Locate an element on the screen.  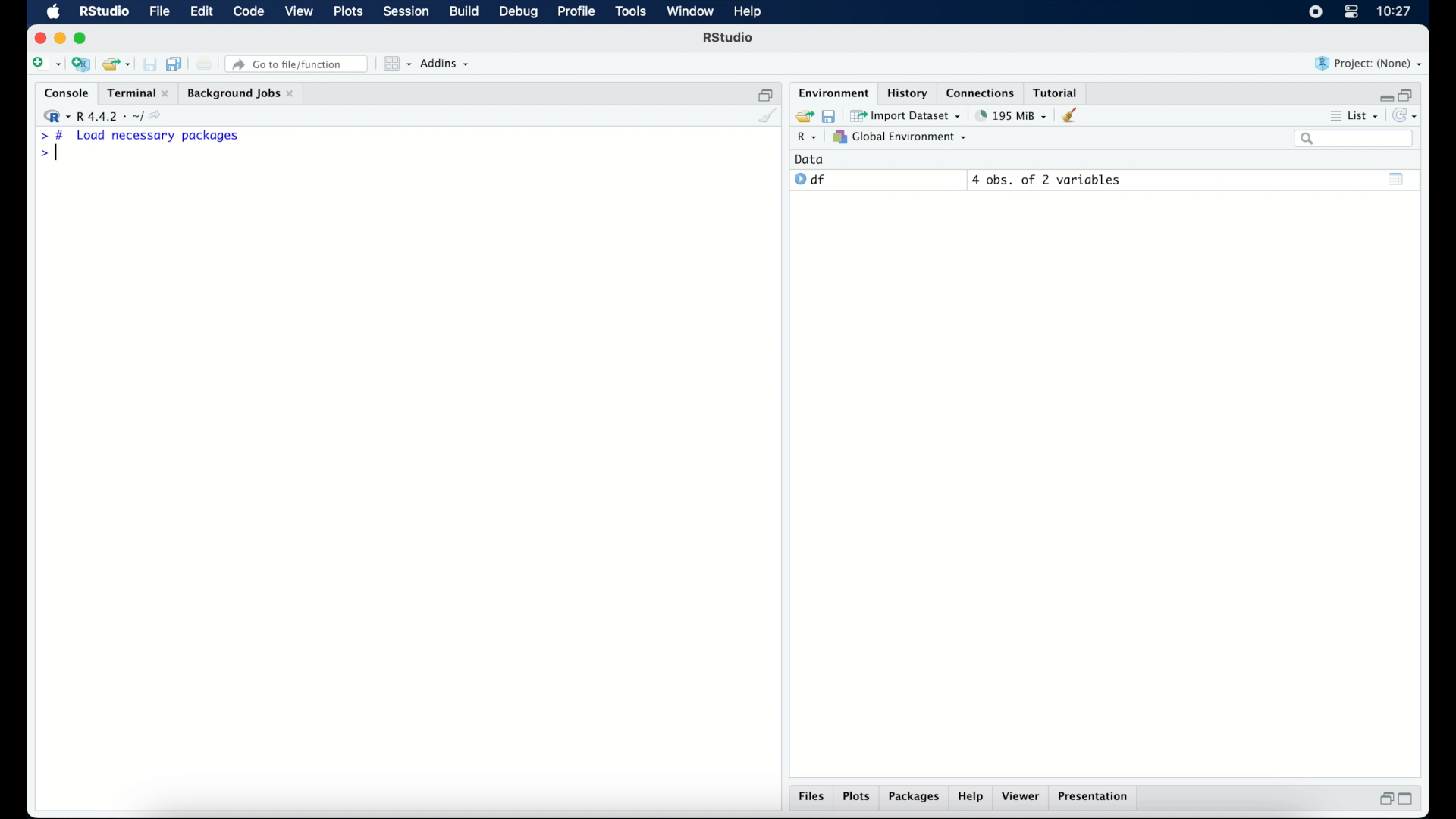
viewer is located at coordinates (1024, 798).